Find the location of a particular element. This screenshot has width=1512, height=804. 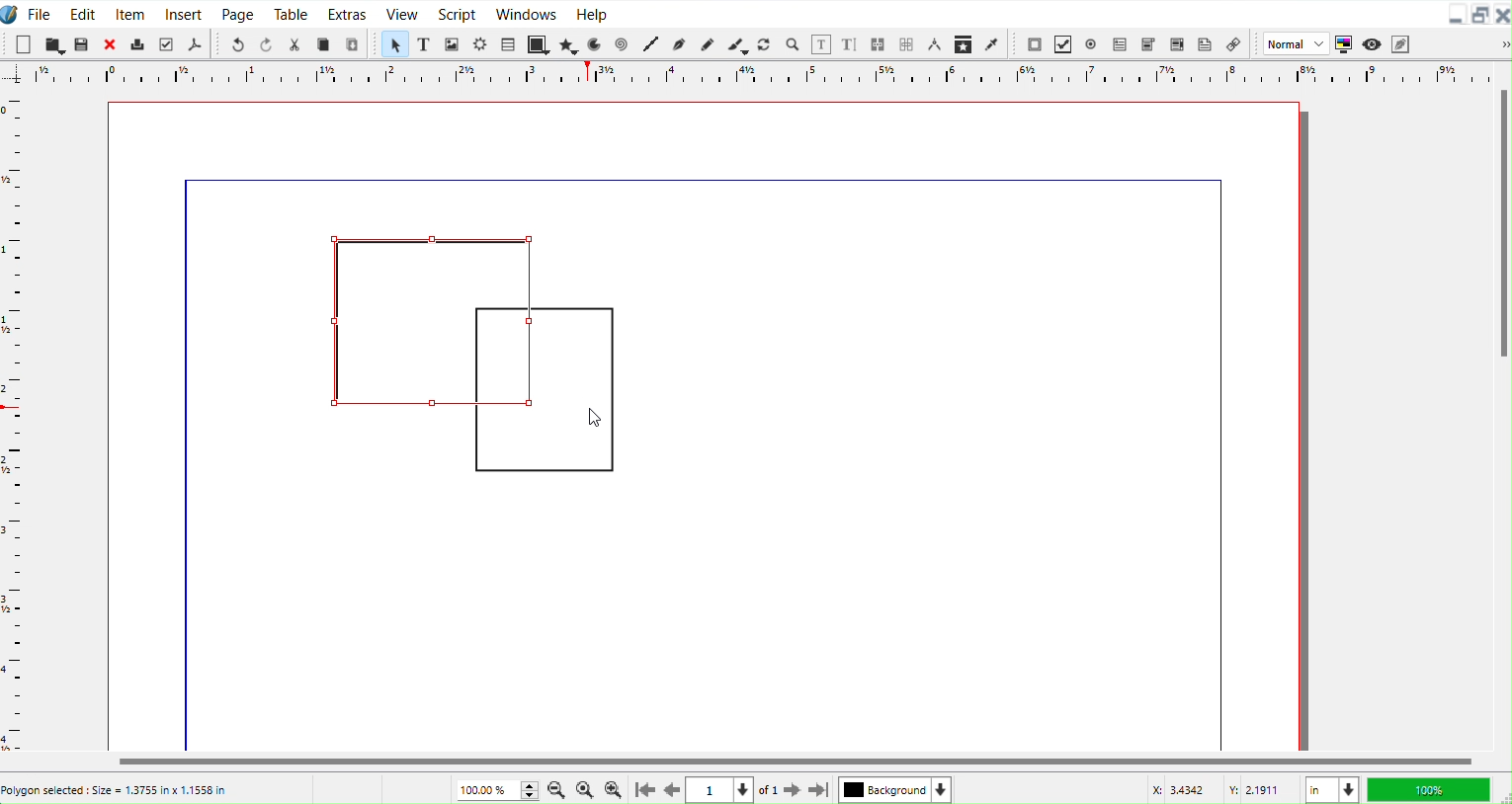

Close is located at coordinates (108, 44).